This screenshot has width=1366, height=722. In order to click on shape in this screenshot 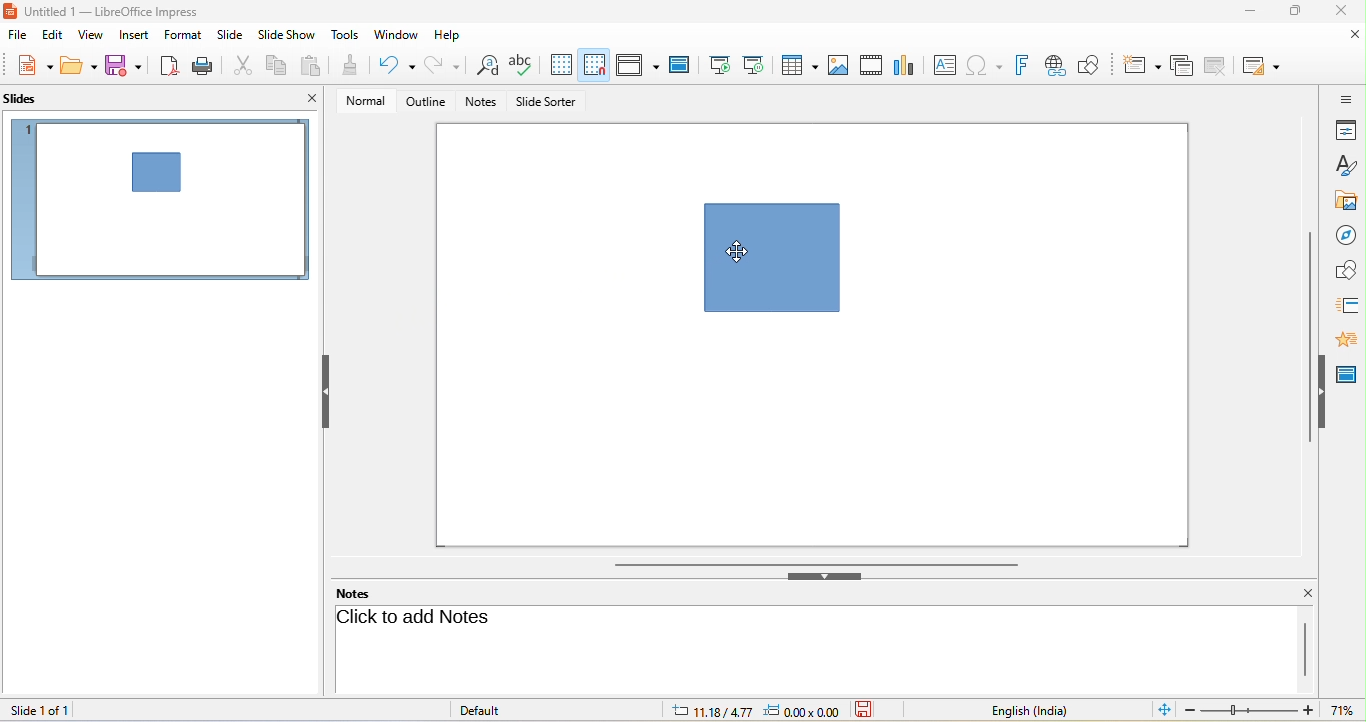, I will do `click(767, 256)`.